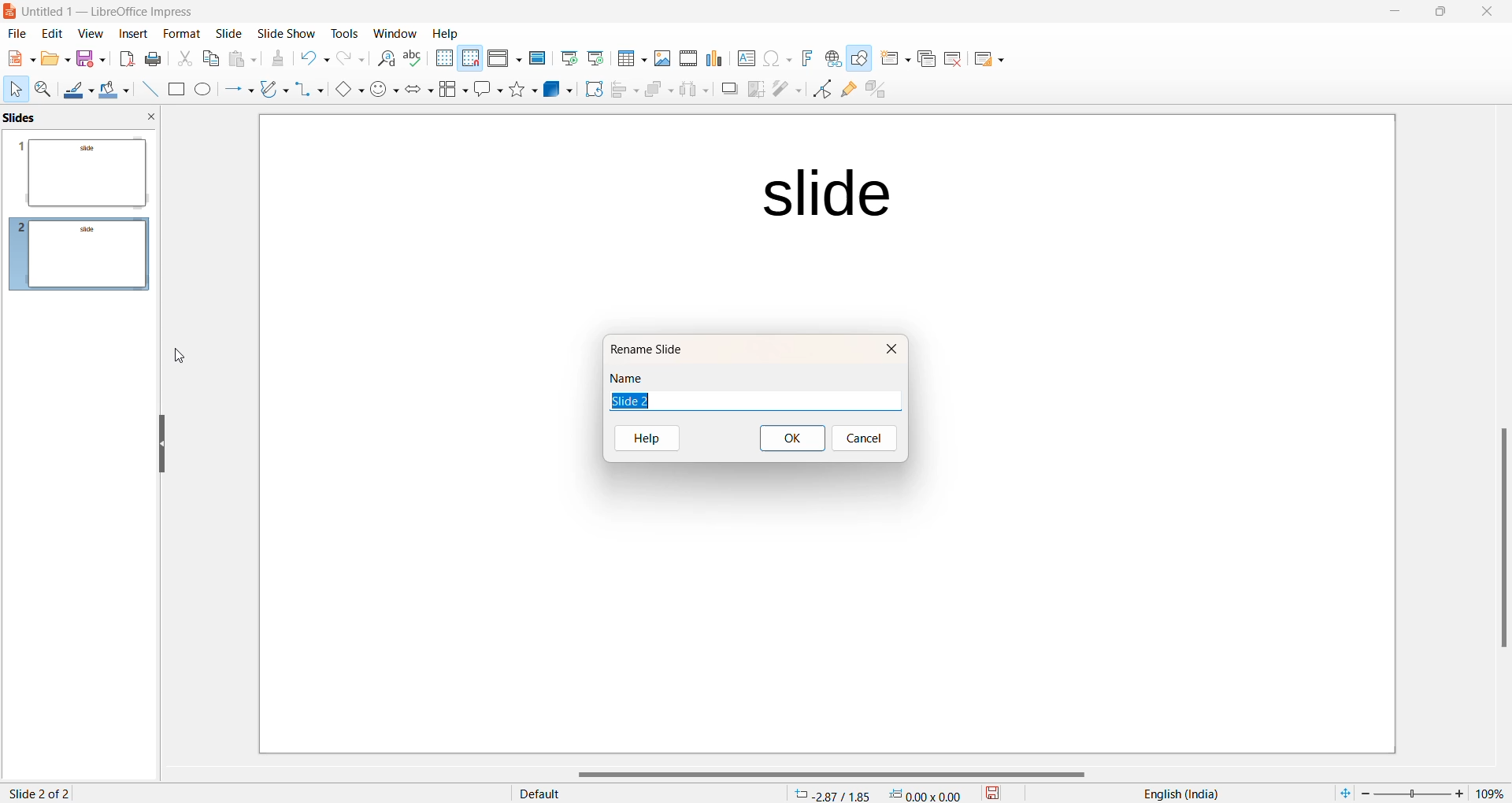  What do you see at coordinates (155, 58) in the screenshot?
I see `Print` at bounding box center [155, 58].